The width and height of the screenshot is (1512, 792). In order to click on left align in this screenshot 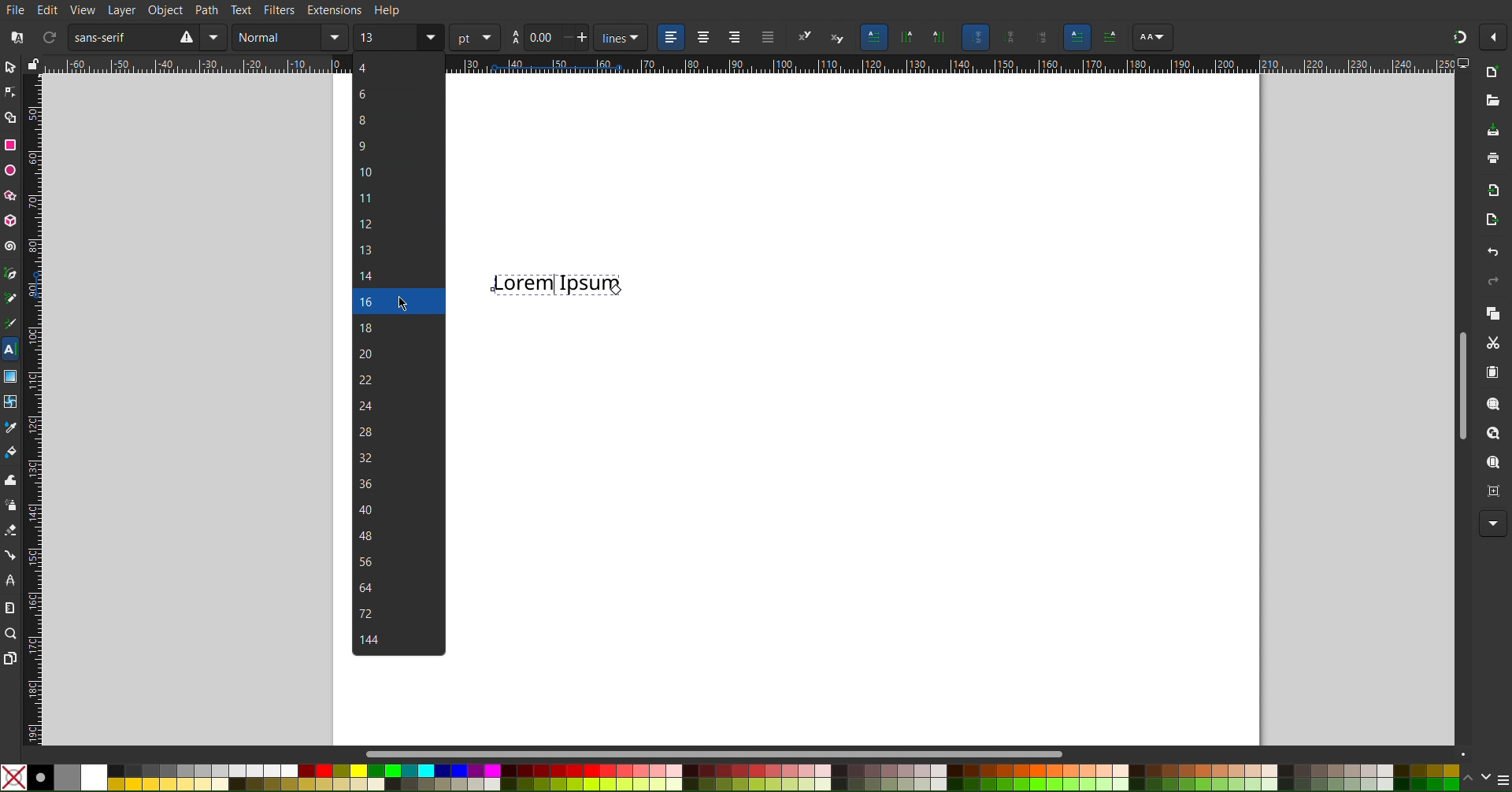, I will do `click(669, 36)`.